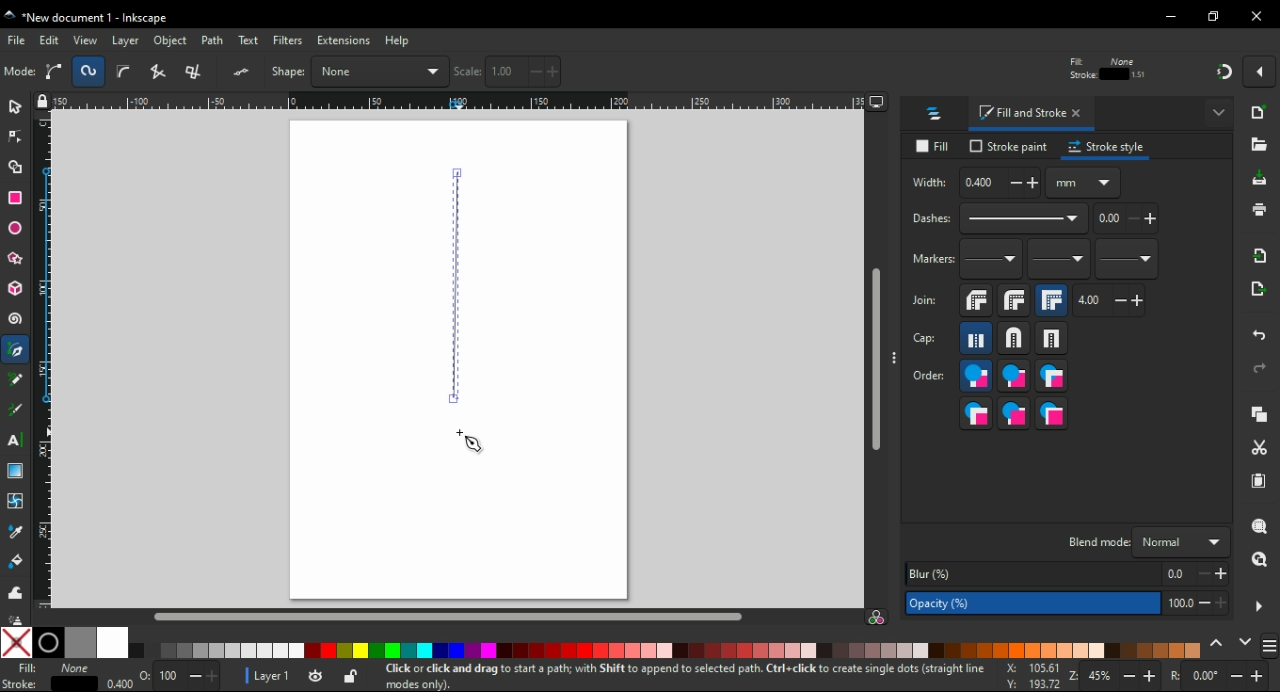 Image resolution: width=1280 pixels, height=692 pixels. What do you see at coordinates (1026, 677) in the screenshot?
I see `X: -146.46 Y: 124.87` at bounding box center [1026, 677].